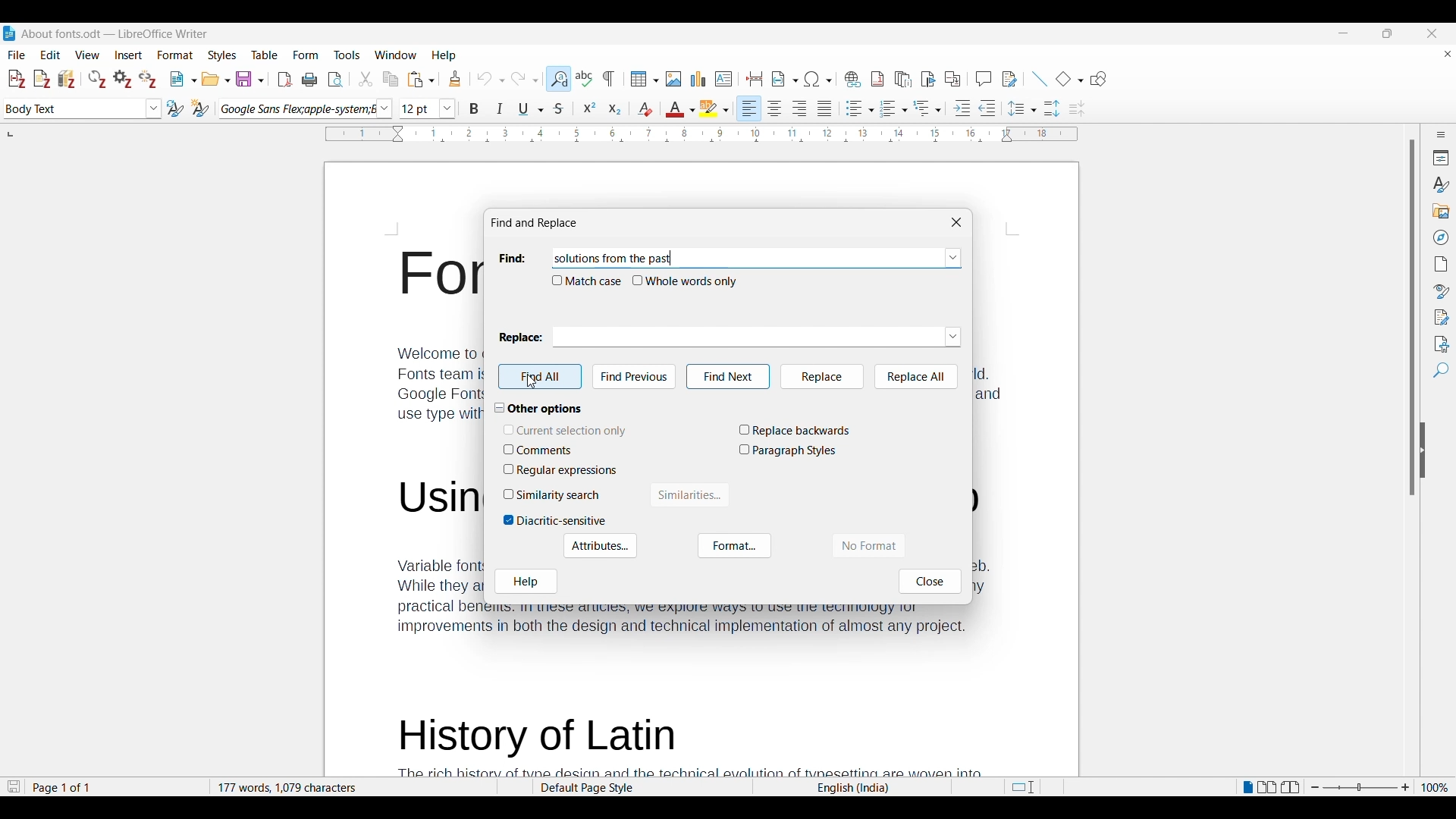  What do you see at coordinates (679, 110) in the screenshot?
I see `font color` at bounding box center [679, 110].